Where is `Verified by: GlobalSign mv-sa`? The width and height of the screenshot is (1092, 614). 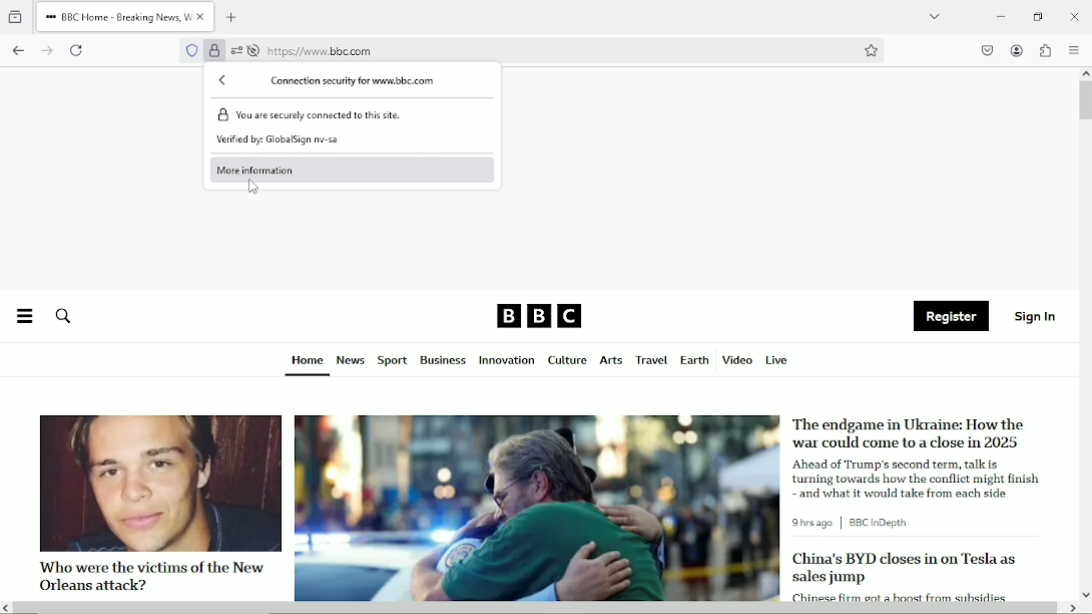
Verified by: GlobalSign mv-sa is located at coordinates (280, 142).